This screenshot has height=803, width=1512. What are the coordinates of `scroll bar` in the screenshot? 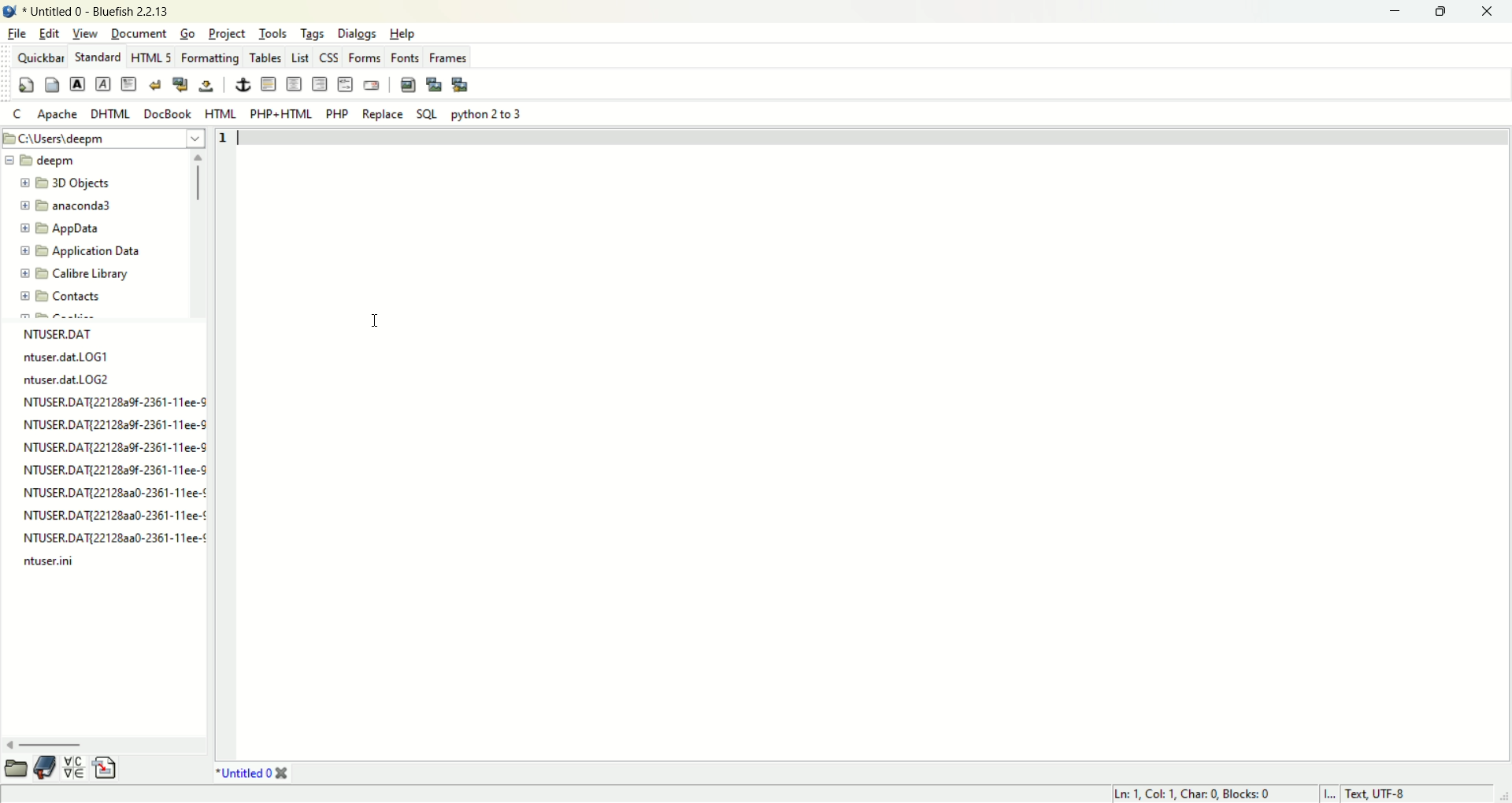 It's located at (201, 251).